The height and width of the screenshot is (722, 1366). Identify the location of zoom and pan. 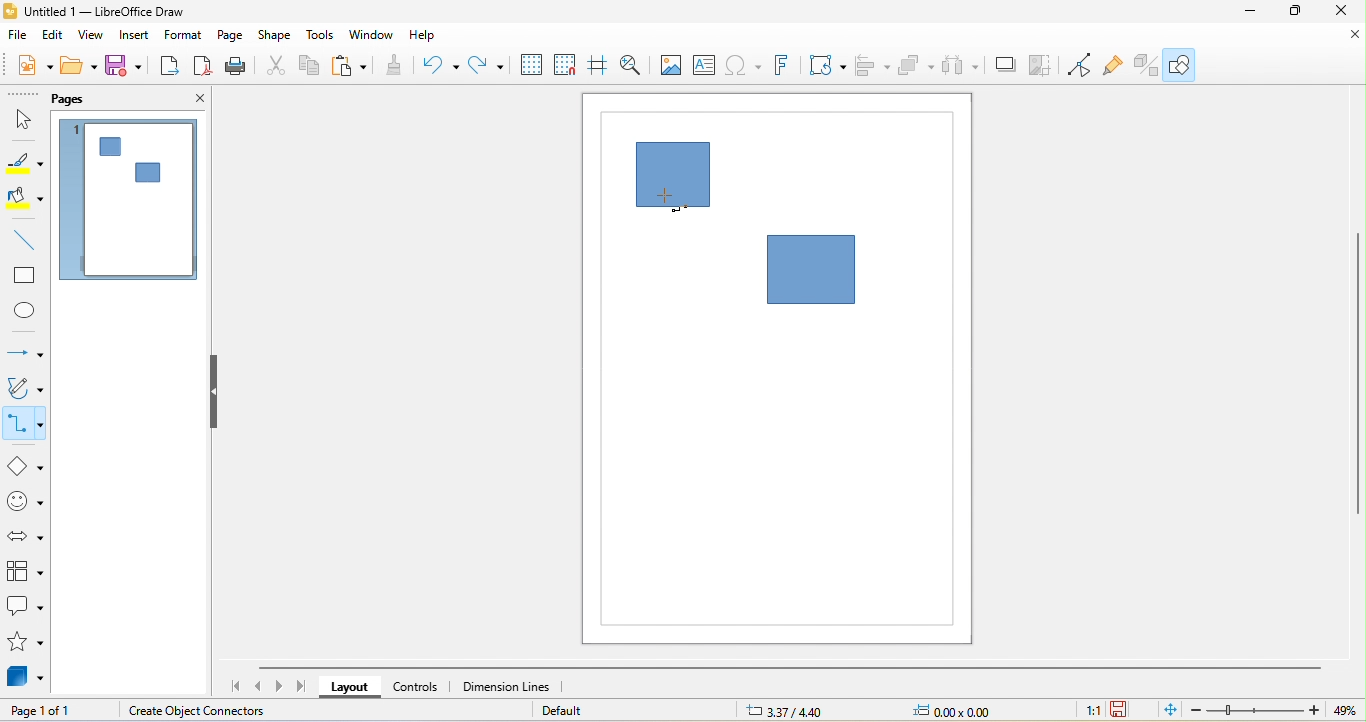
(634, 65).